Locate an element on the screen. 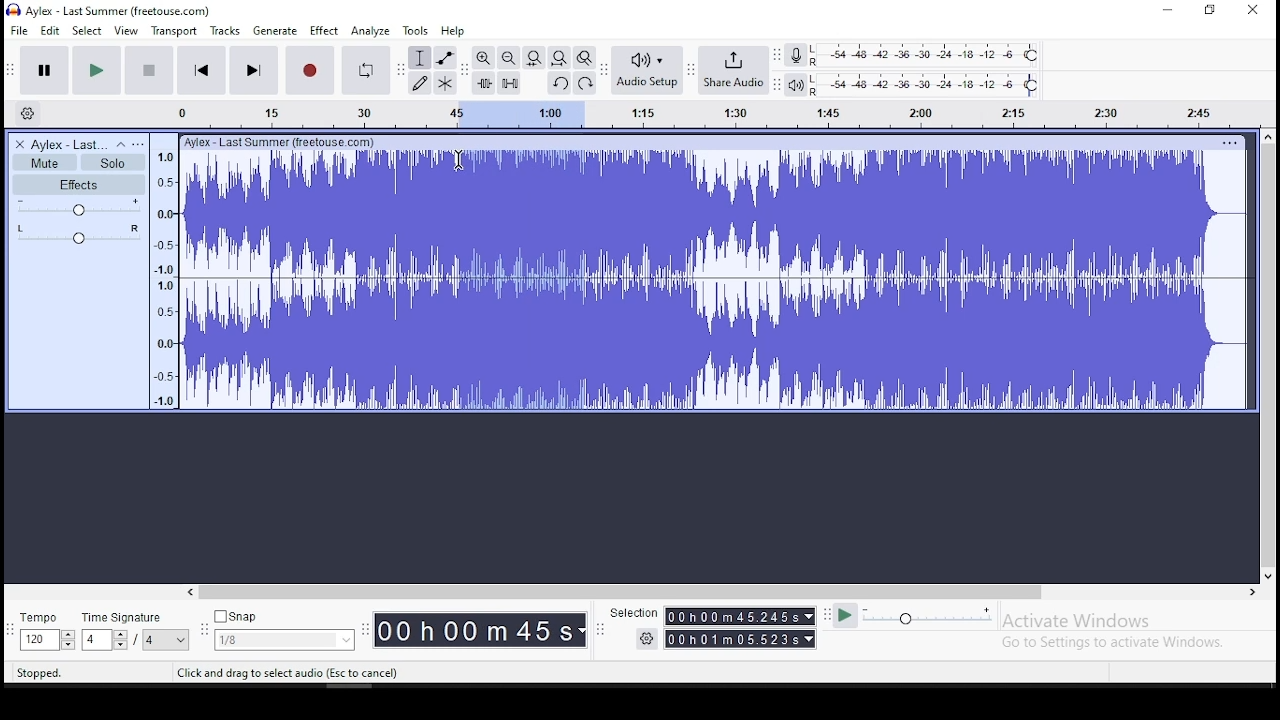  timeline is located at coordinates (698, 113).